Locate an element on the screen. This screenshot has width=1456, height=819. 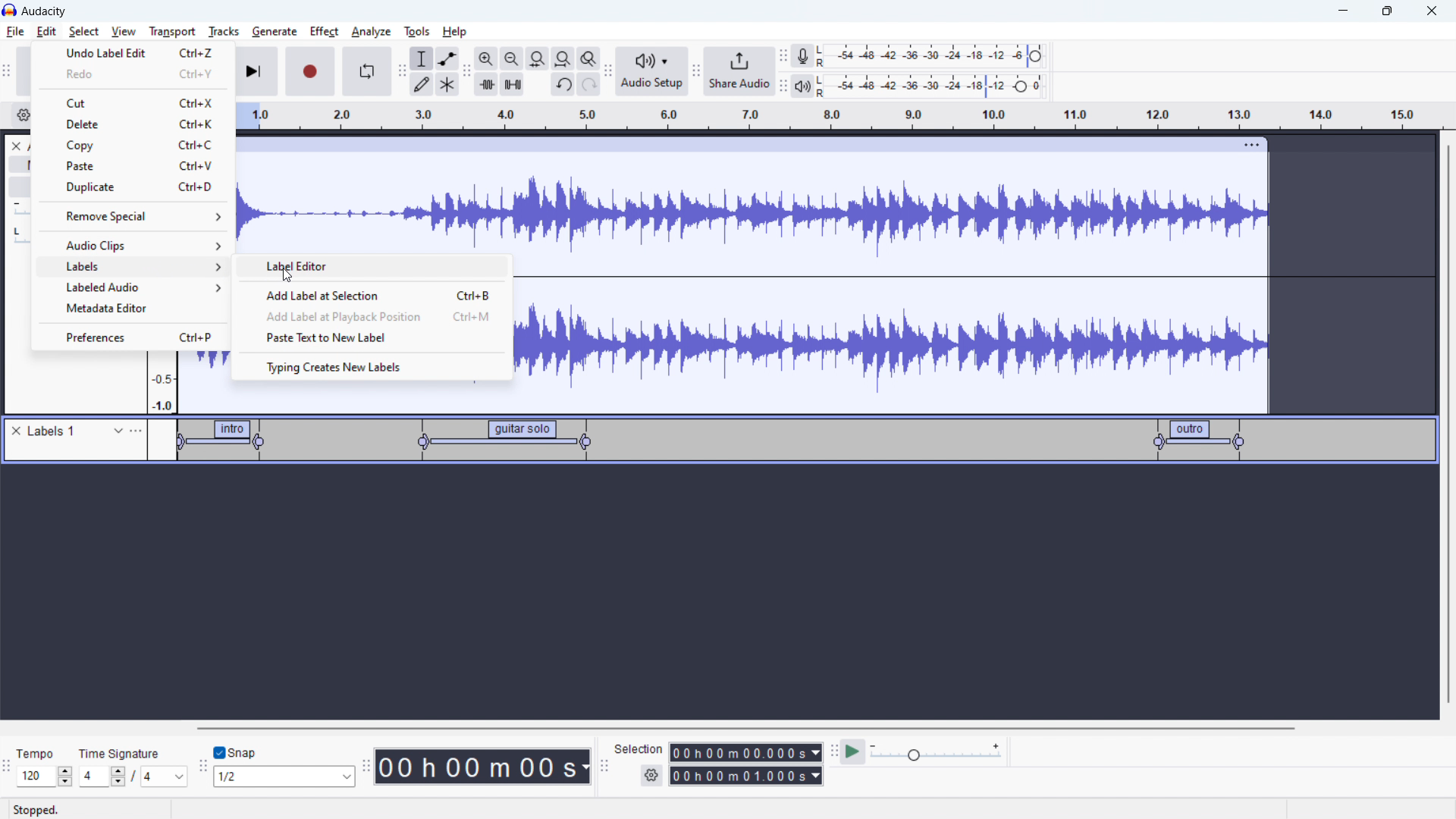
maximize is located at coordinates (1387, 11).